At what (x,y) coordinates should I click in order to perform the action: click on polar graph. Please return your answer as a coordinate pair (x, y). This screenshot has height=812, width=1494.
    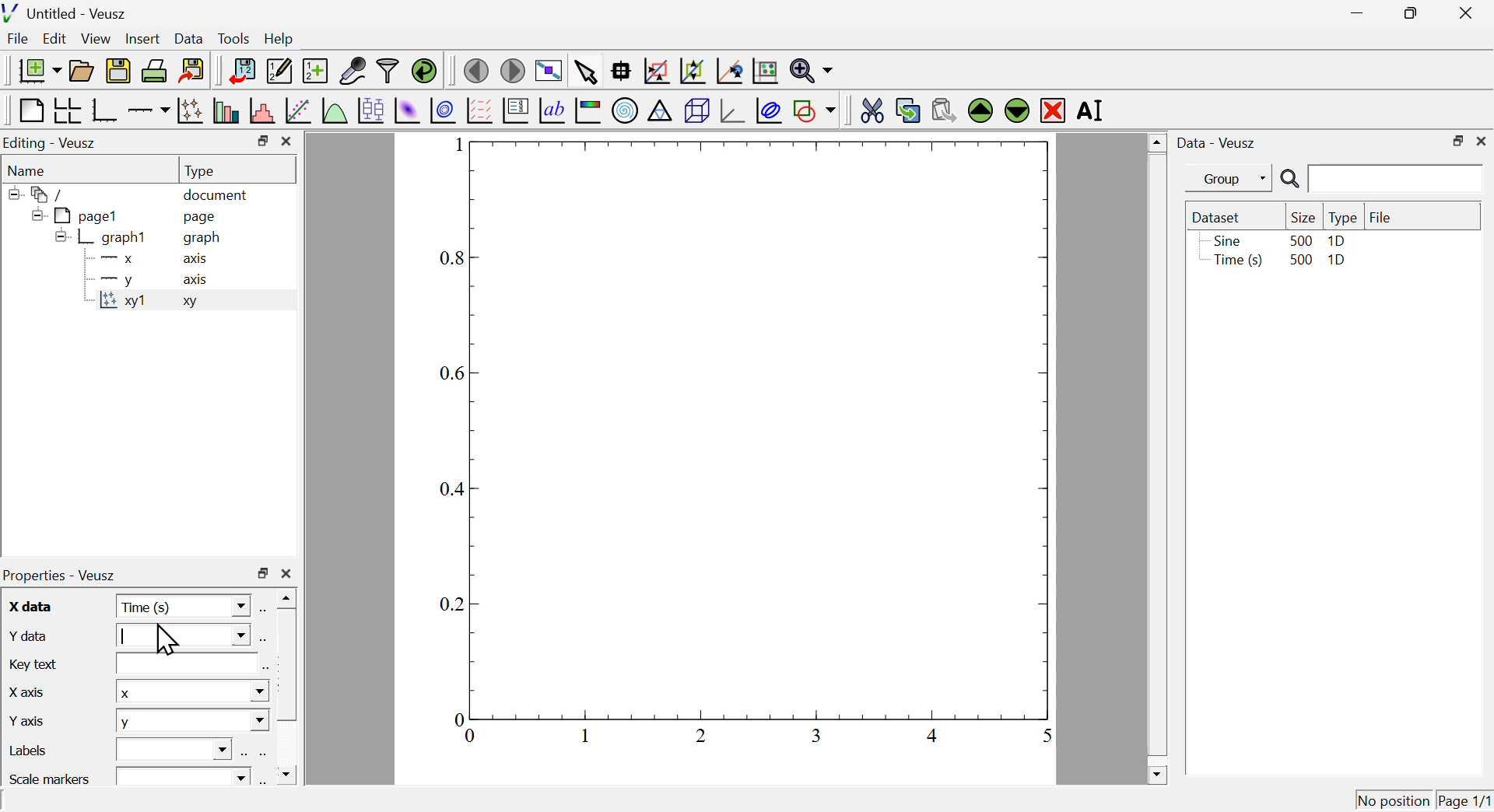
    Looking at the image, I should click on (626, 111).